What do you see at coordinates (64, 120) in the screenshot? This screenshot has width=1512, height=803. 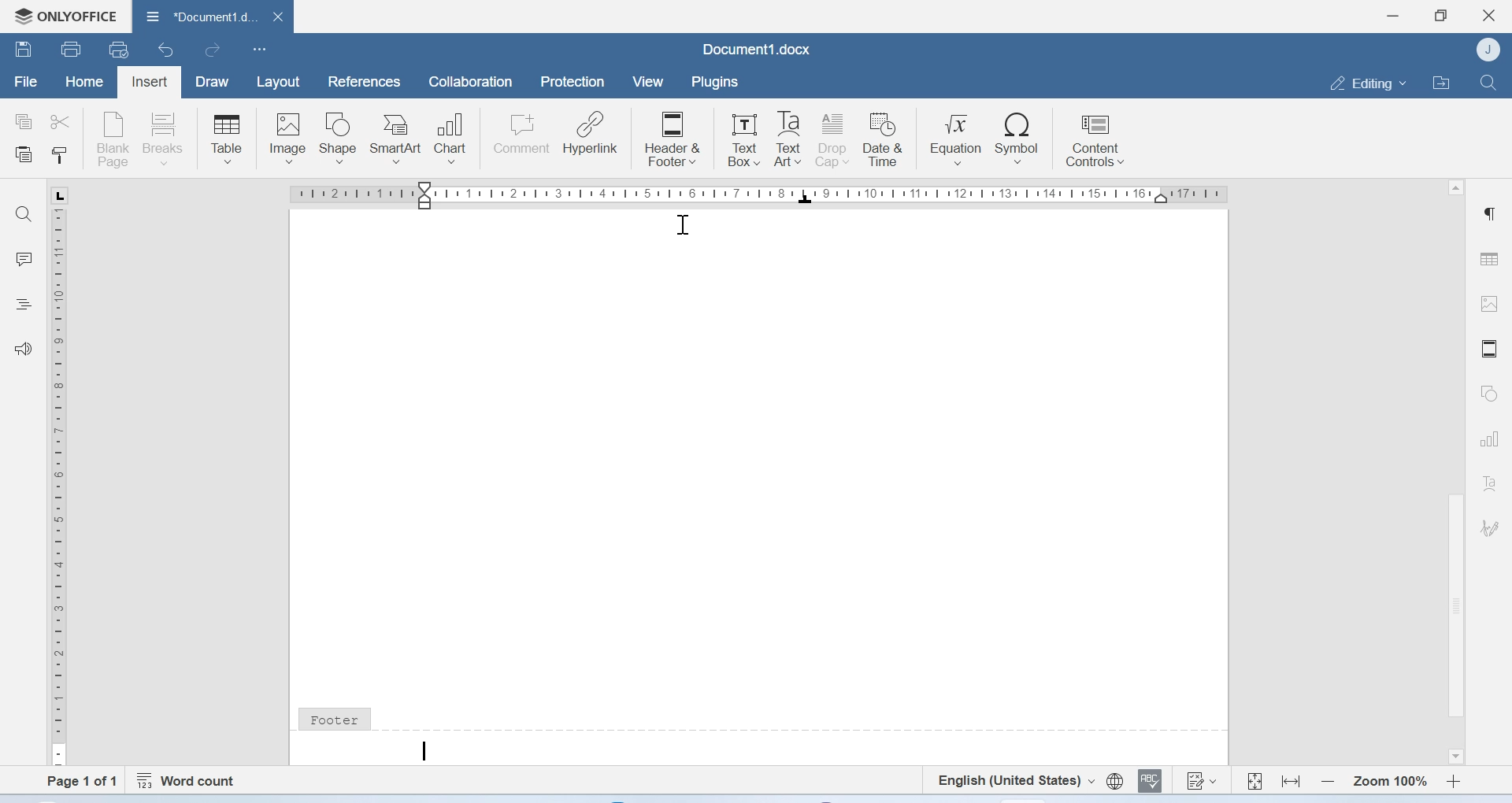 I see `cut` at bounding box center [64, 120].